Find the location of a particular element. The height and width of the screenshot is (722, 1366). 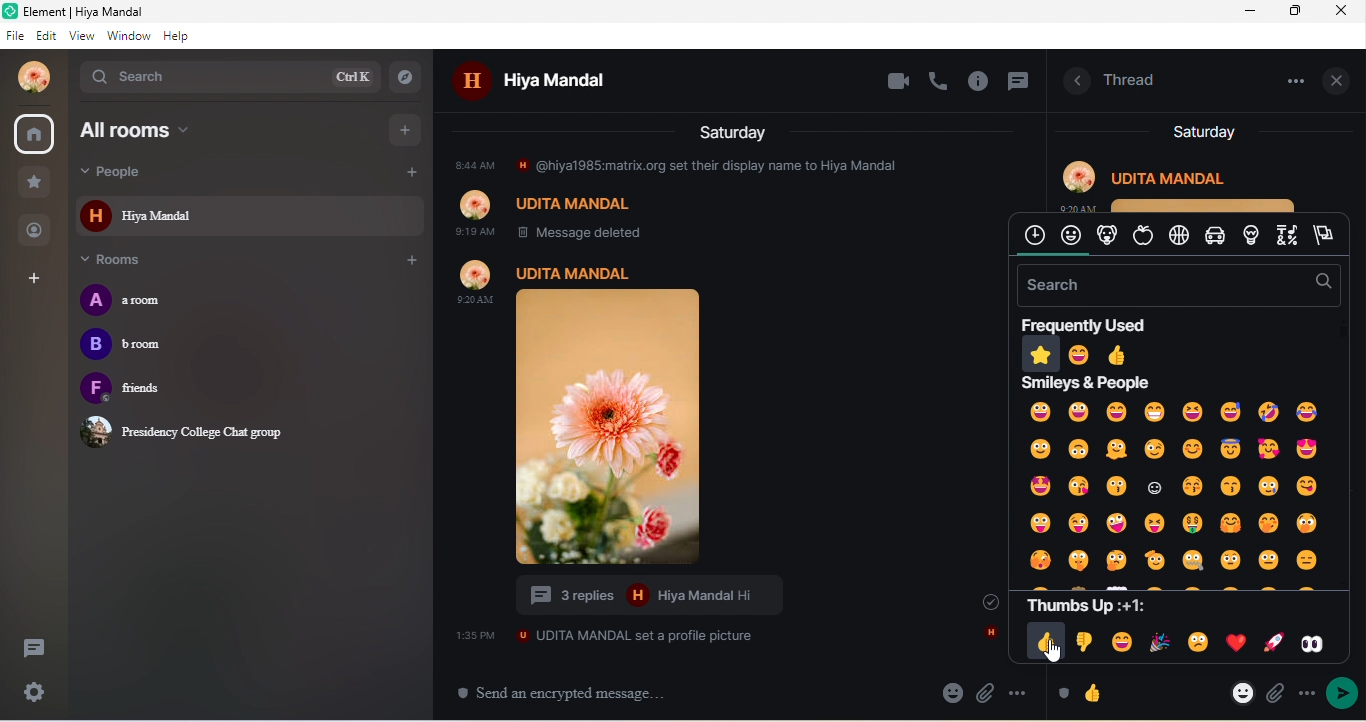

profile photo is located at coordinates (1185, 182).